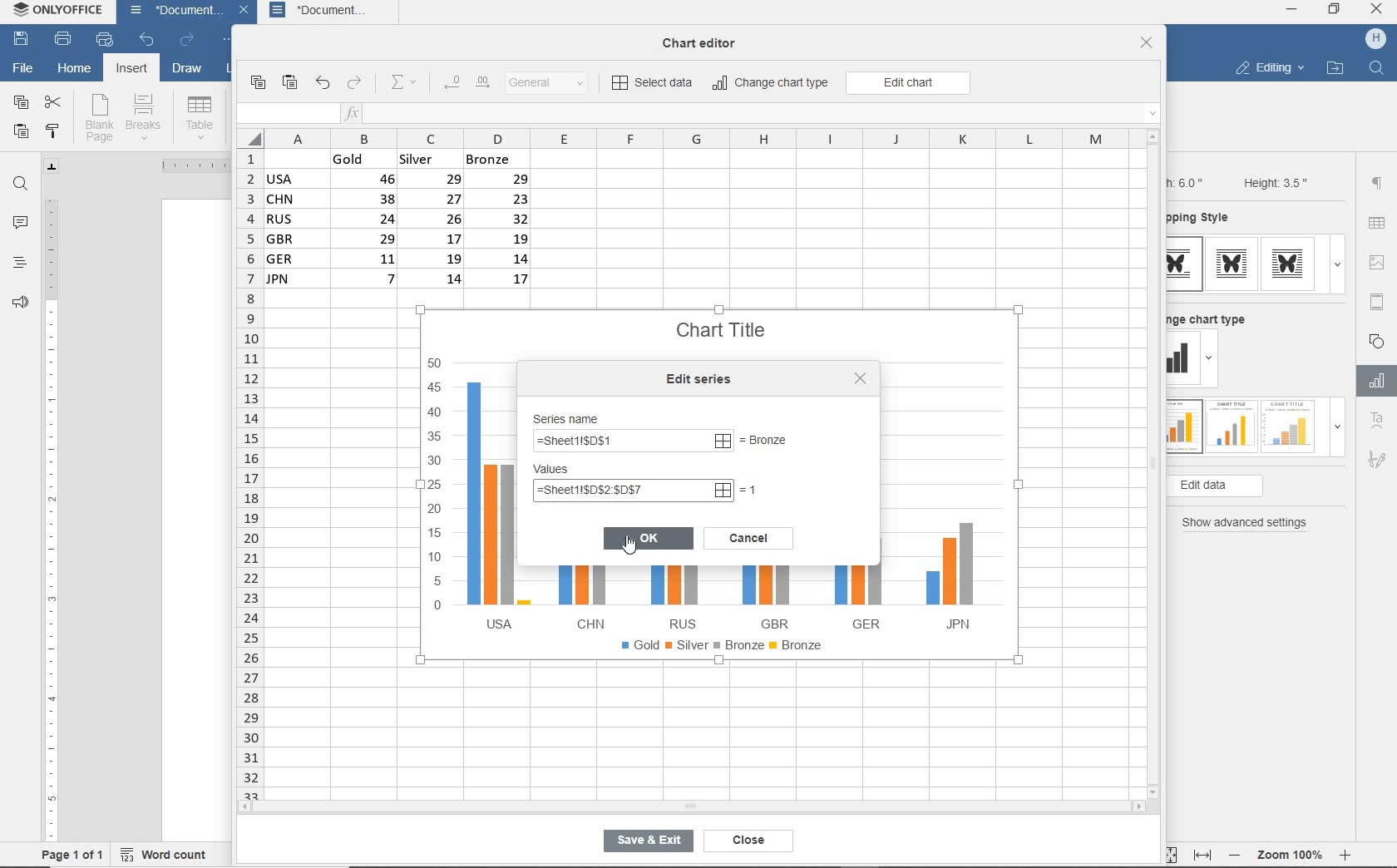 Image resolution: width=1397 pixels, height=868 pixels. I want to click on type 1, so click(1185, 264).